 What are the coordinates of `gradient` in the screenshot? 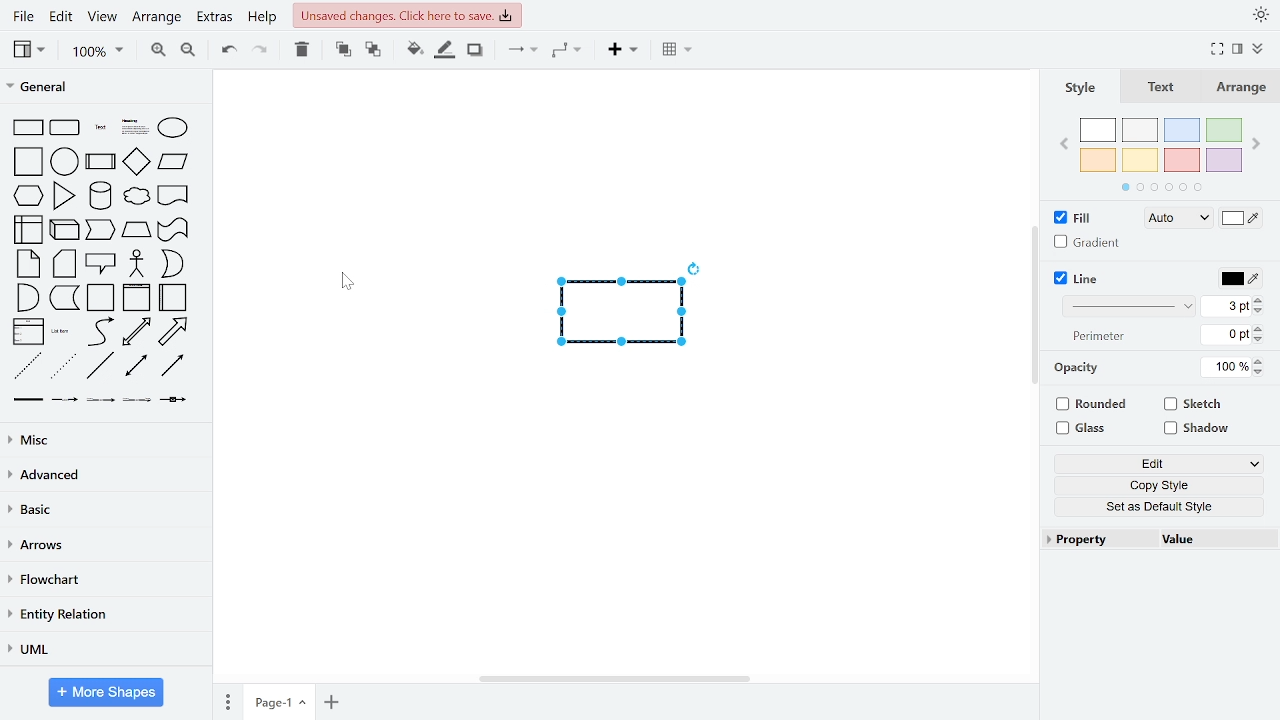 It's located at (1087, 243).